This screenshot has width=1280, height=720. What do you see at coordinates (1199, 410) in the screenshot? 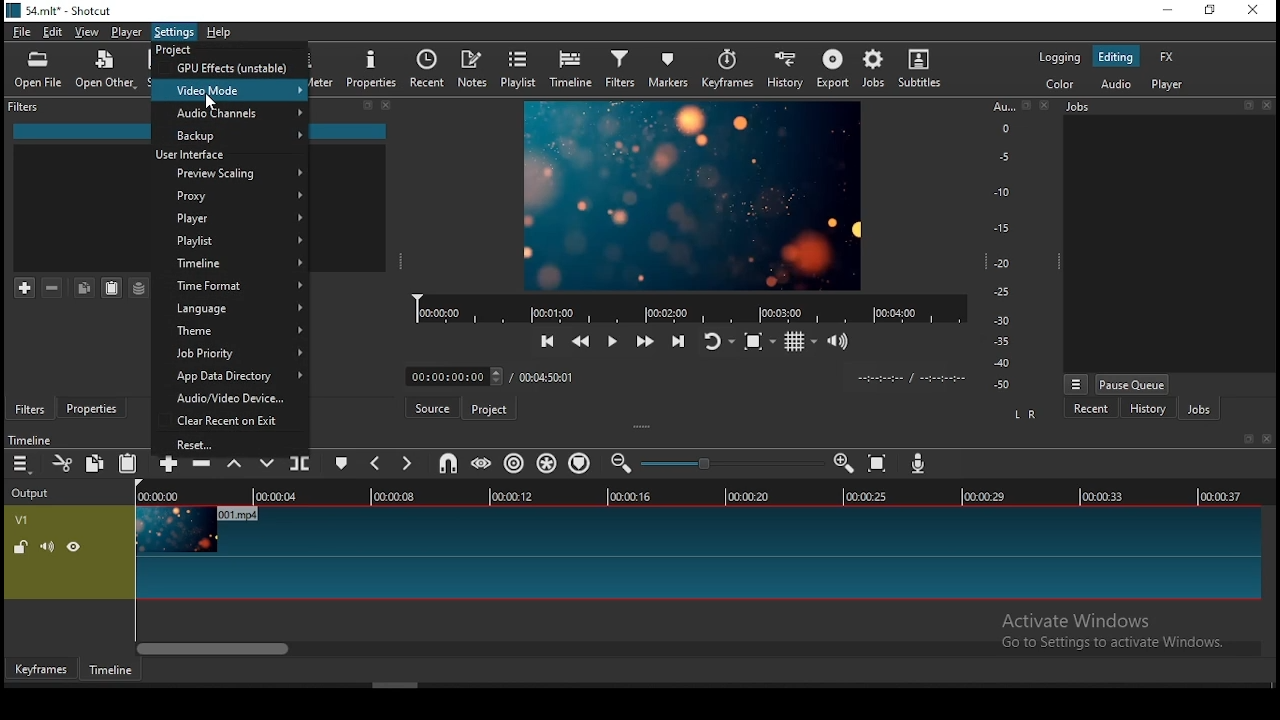
I see `jobs` at bounding box center [1199, 410].